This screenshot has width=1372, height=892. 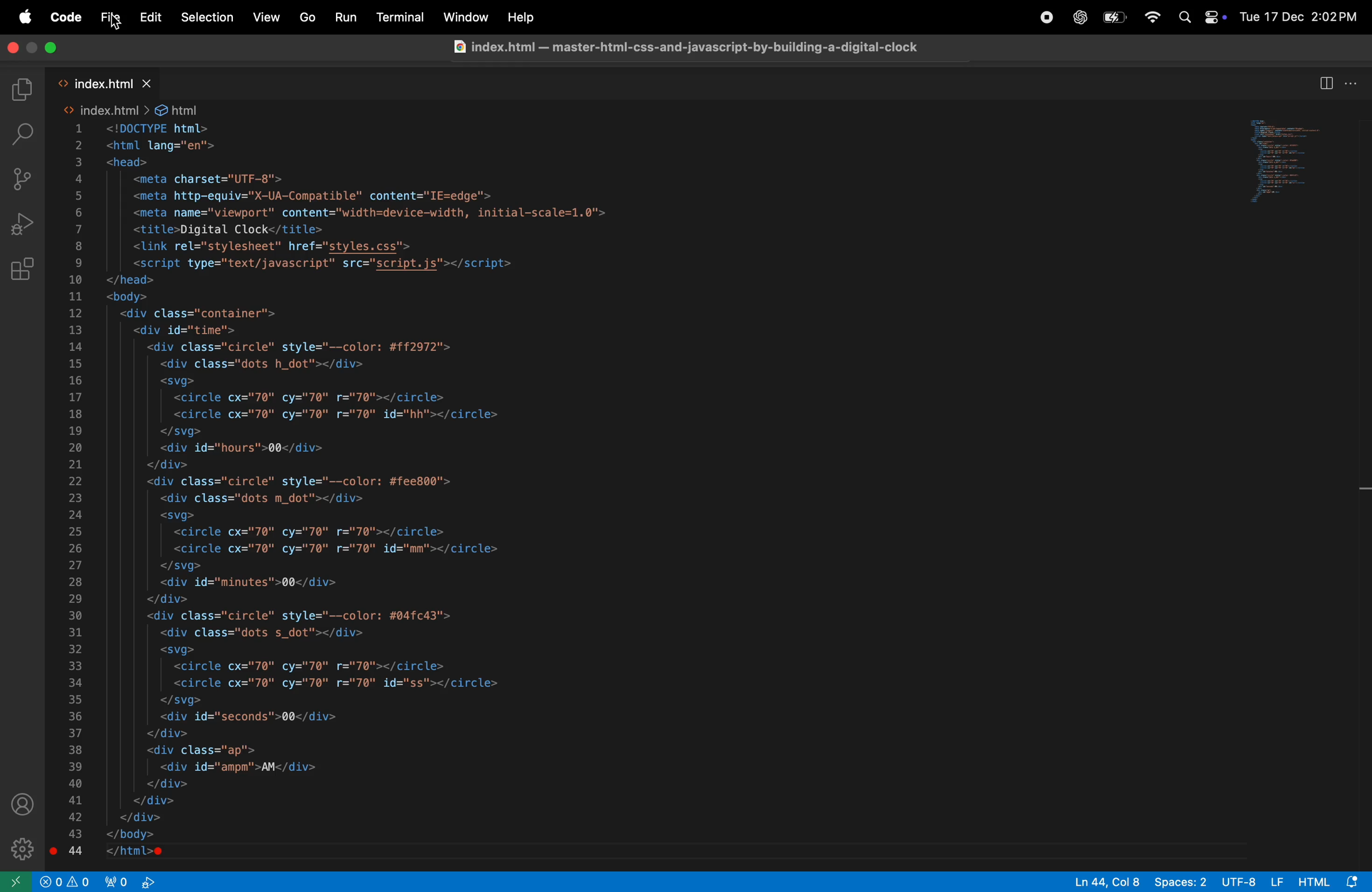 I want to click on explorer, so click(x=28, y=86).